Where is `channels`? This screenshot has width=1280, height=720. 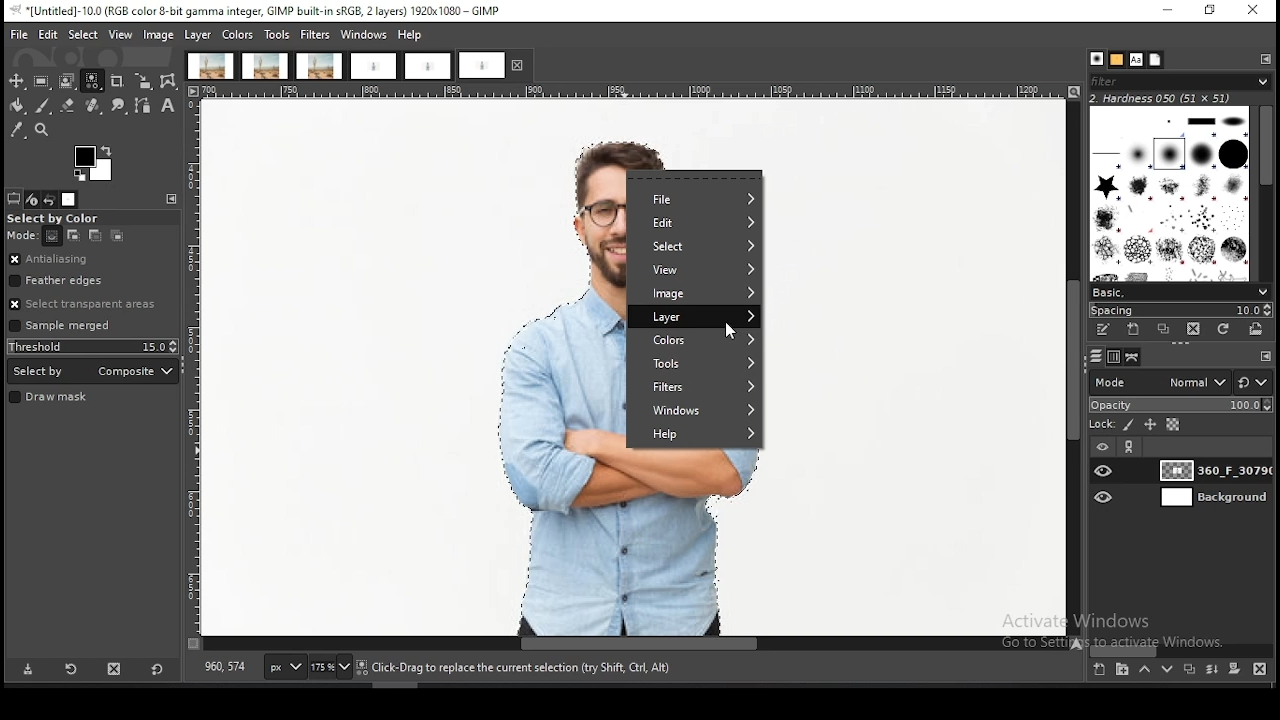 channels is located at coordinates (1116, 357).